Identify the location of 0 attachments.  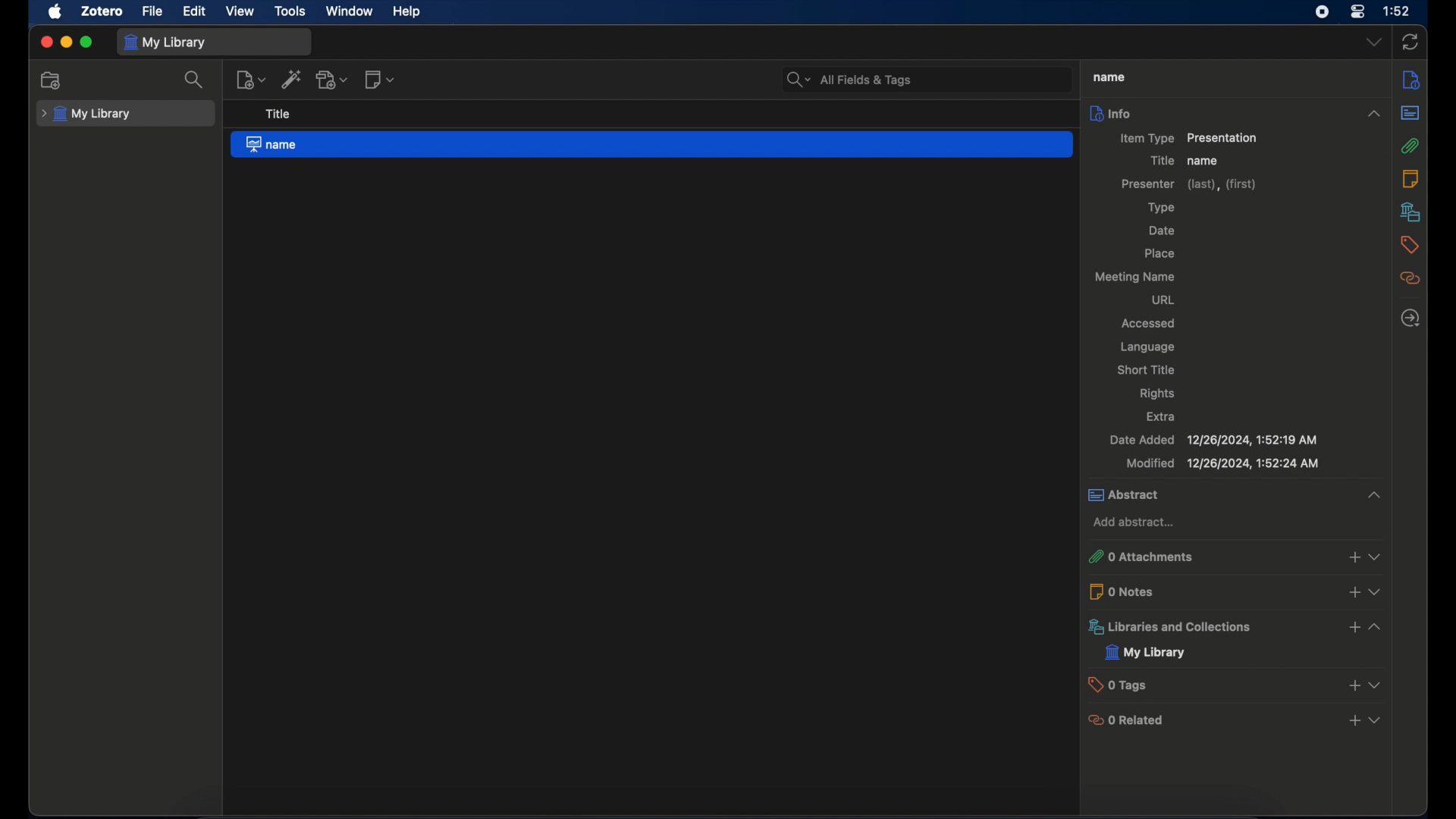
(1234, 557).